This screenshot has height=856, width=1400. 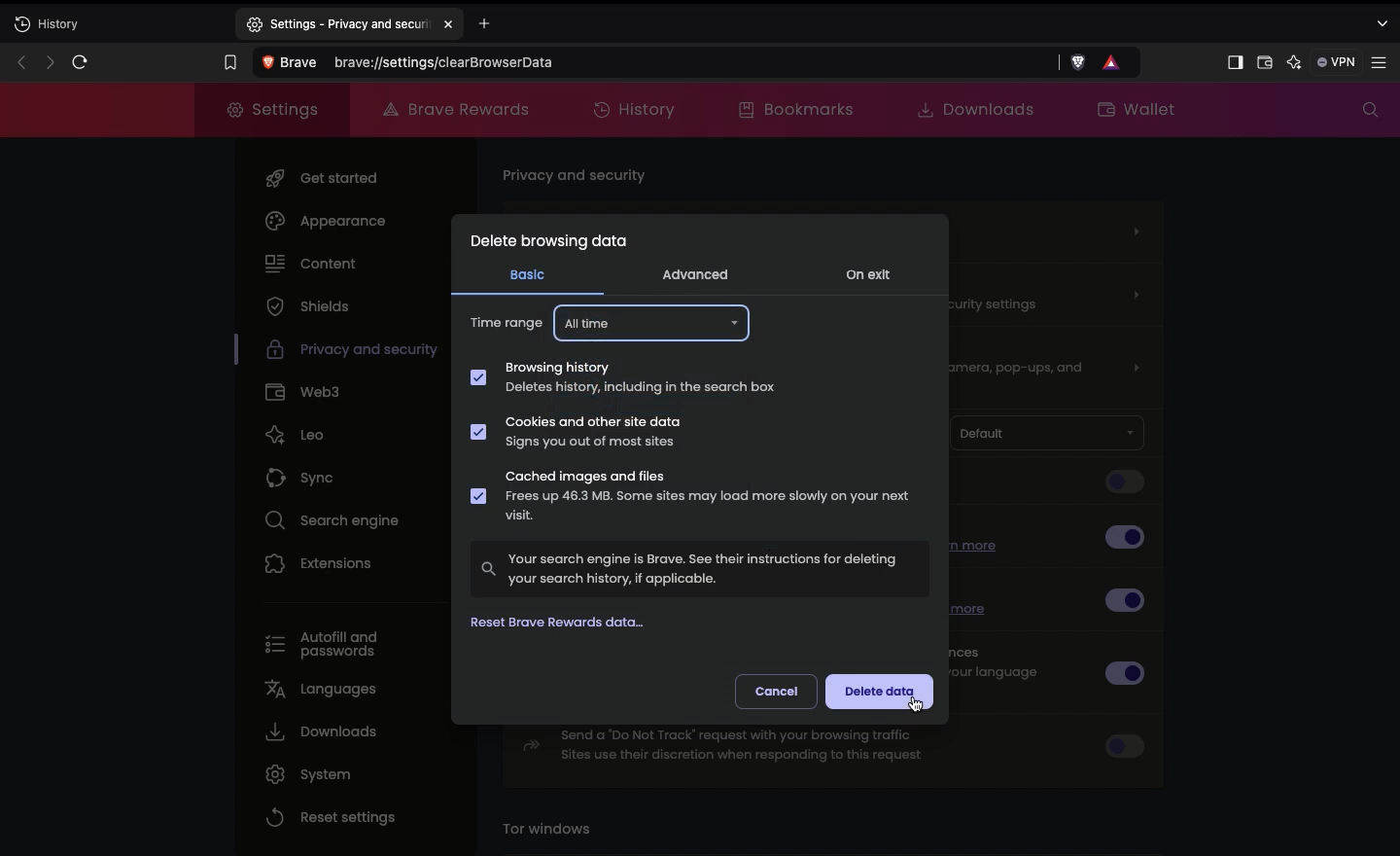 I want to click on Settings, so click(x=274, y=110).